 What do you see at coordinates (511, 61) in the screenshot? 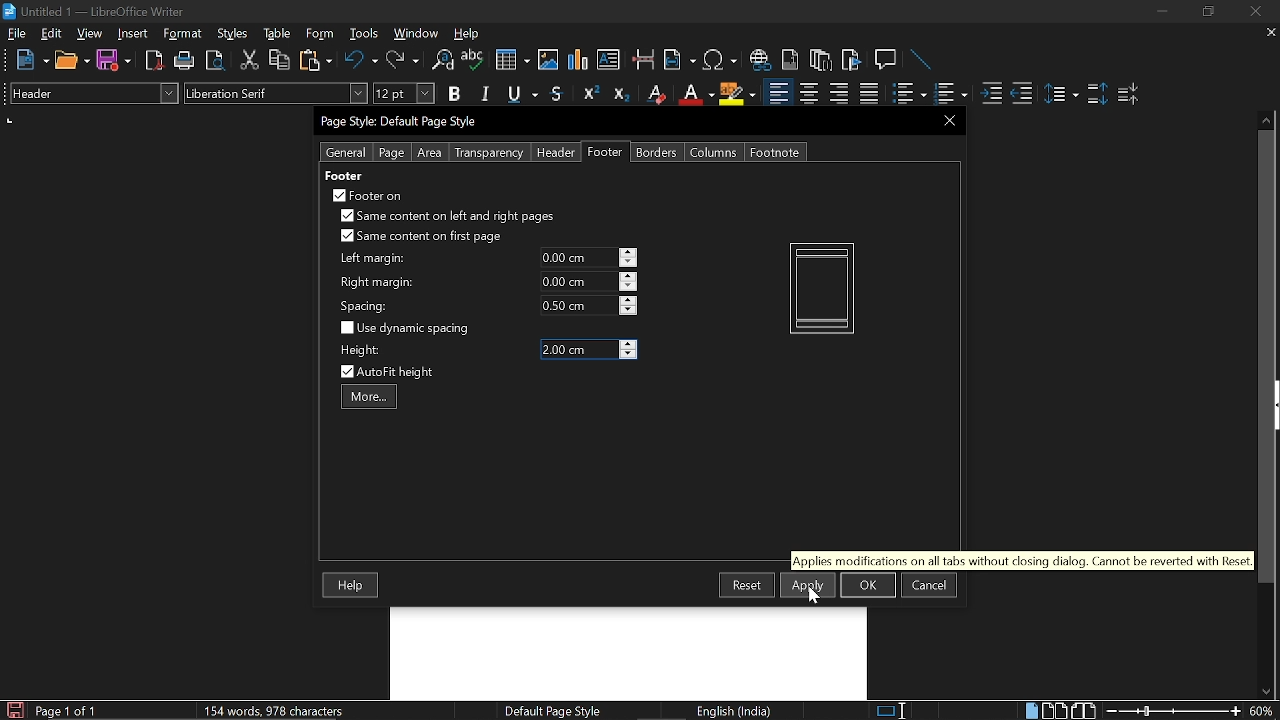
I see `Insert table` at bounding box center [511, 61].